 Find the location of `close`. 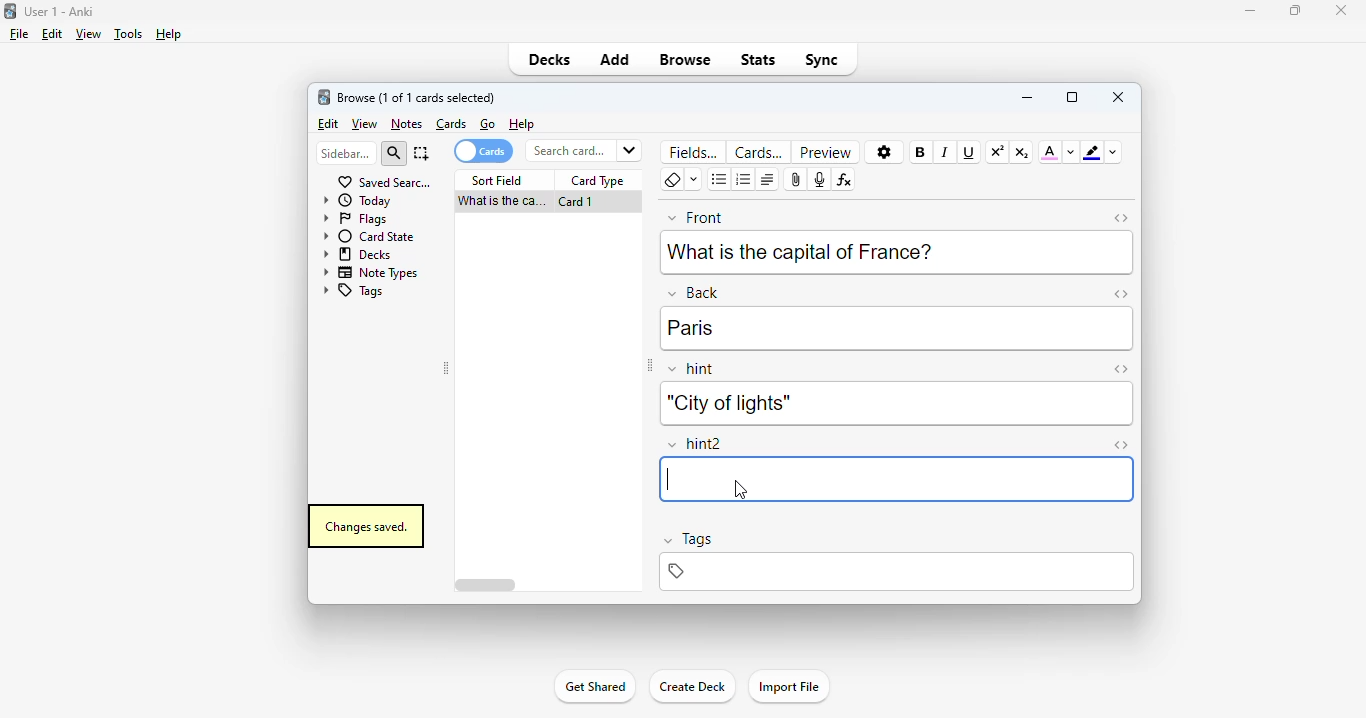

close is located at coordinates (1341, 10).